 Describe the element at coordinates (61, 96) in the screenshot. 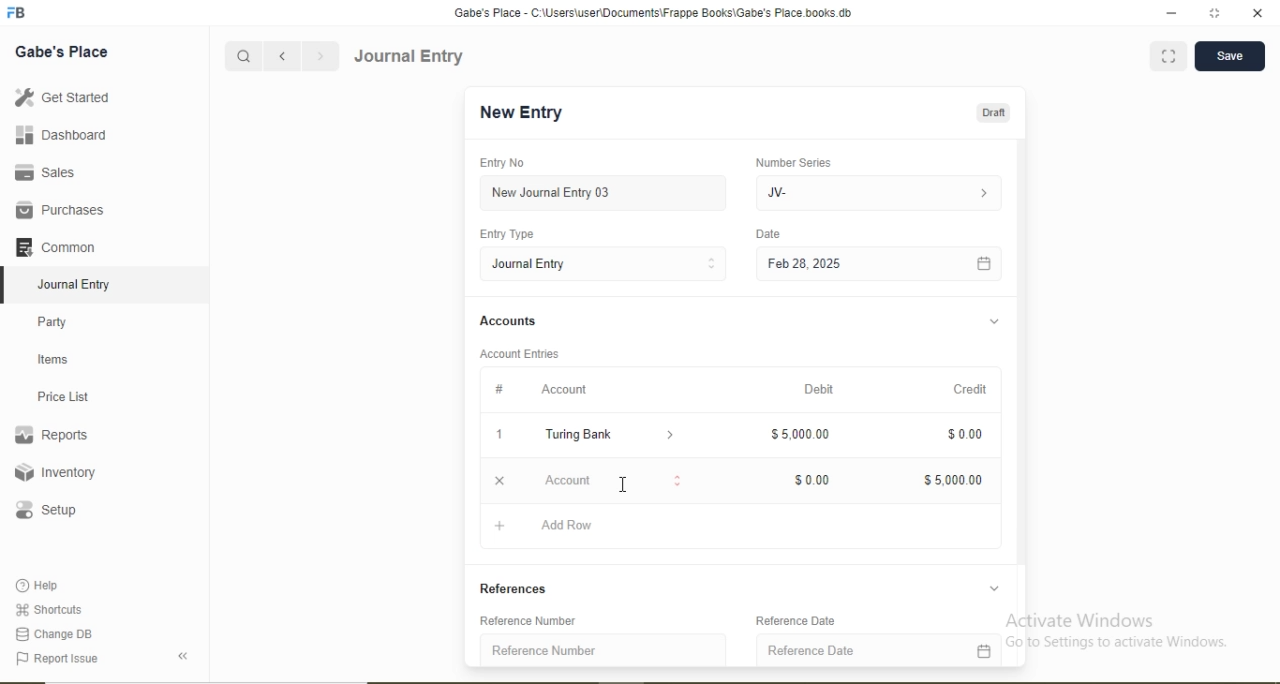

I see `Get Started` at that location.